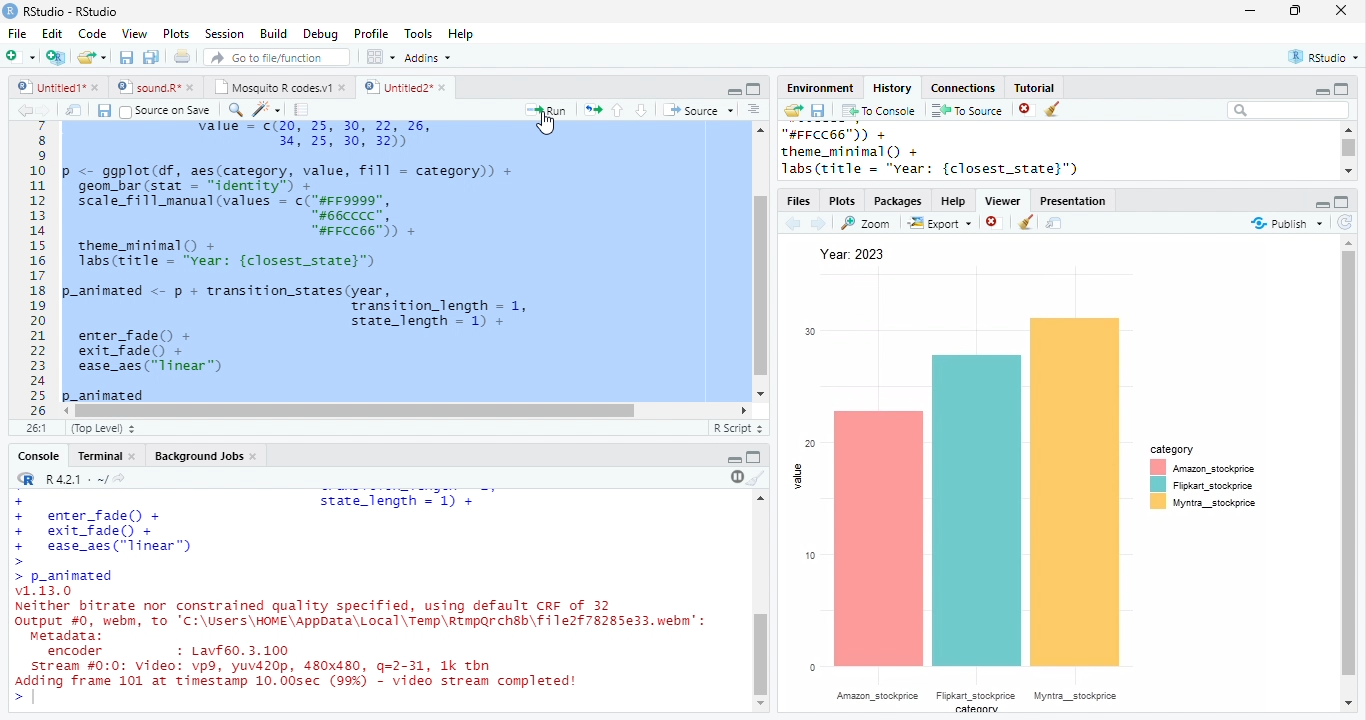  I want to click on clear, so click(1027, 222).